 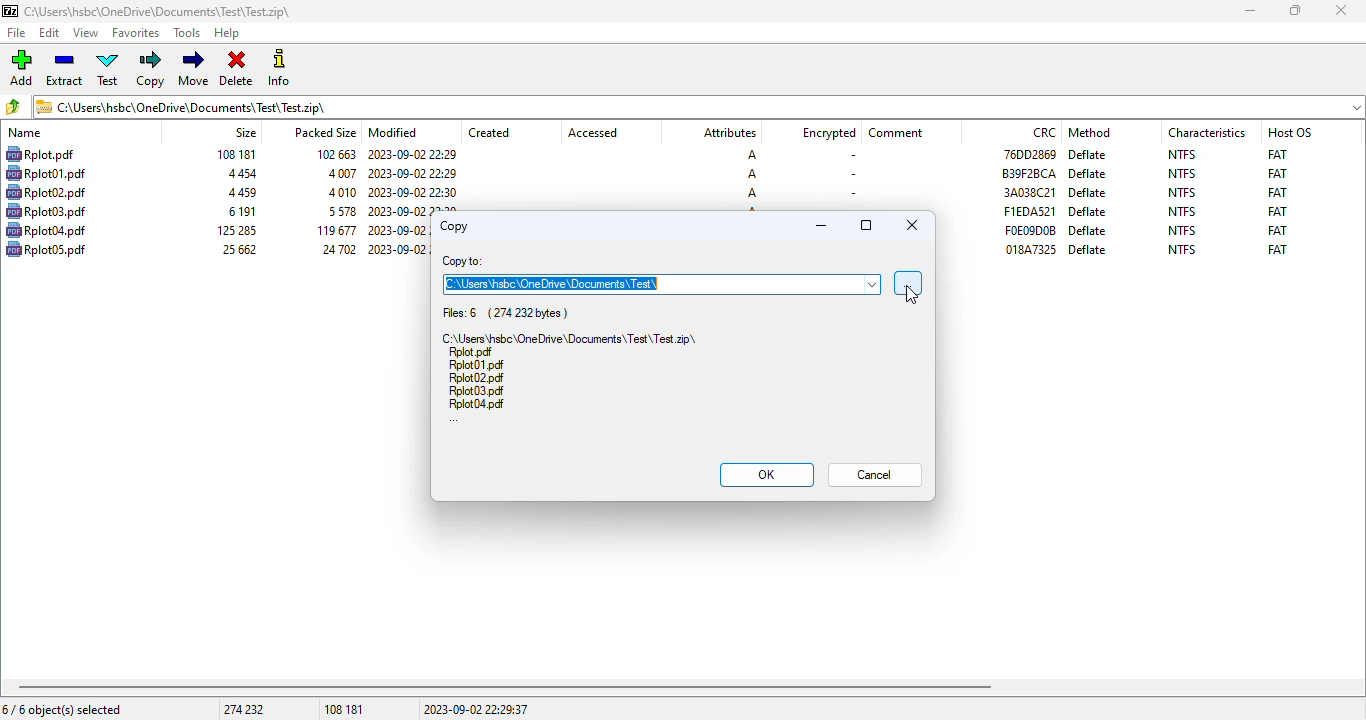 I want to click on A, so click(x=752, y=193).